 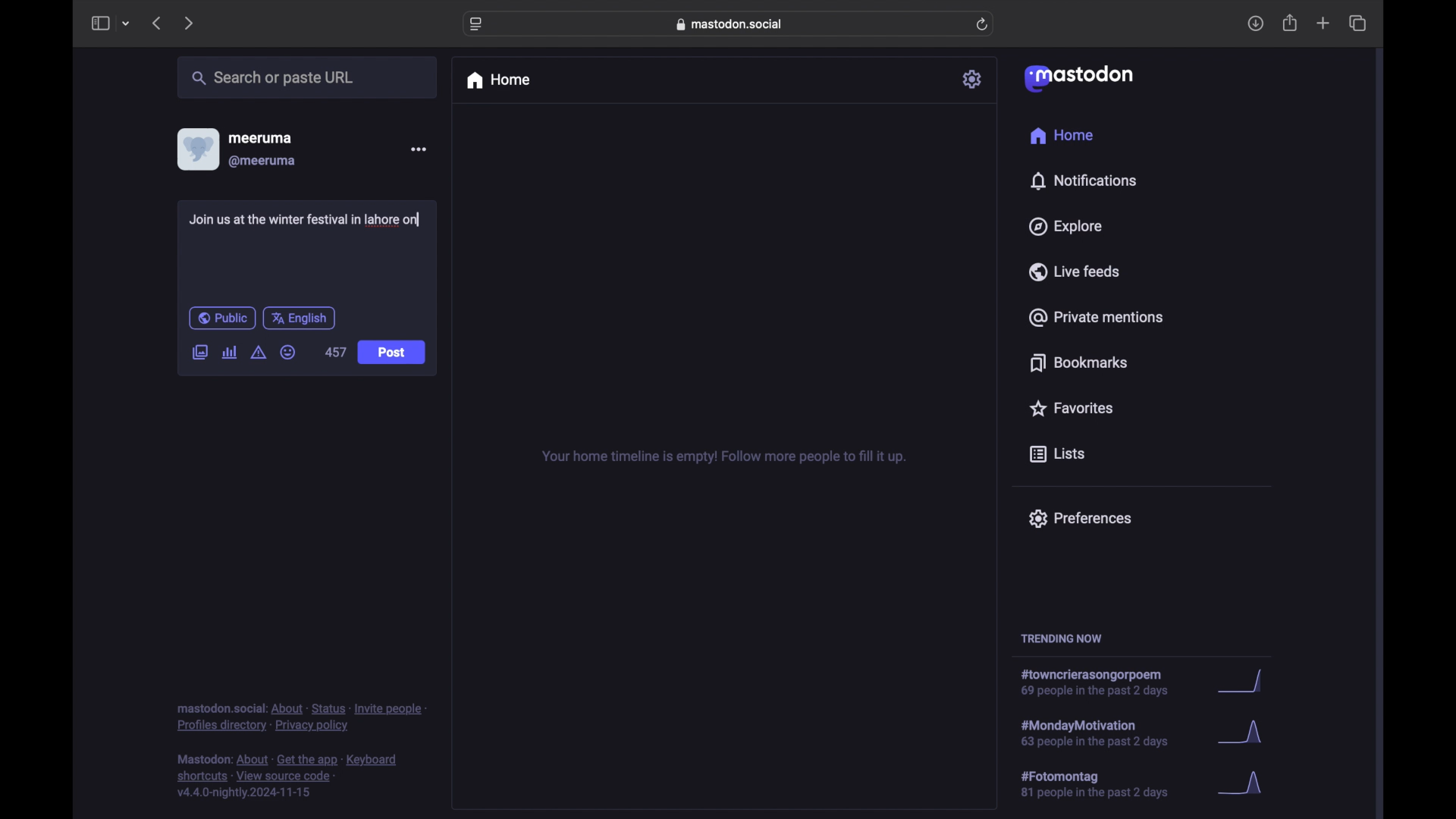 What do you see at coordinates (300, 318) in the screenshot?
I see `english` at bounding box center [300, 318].